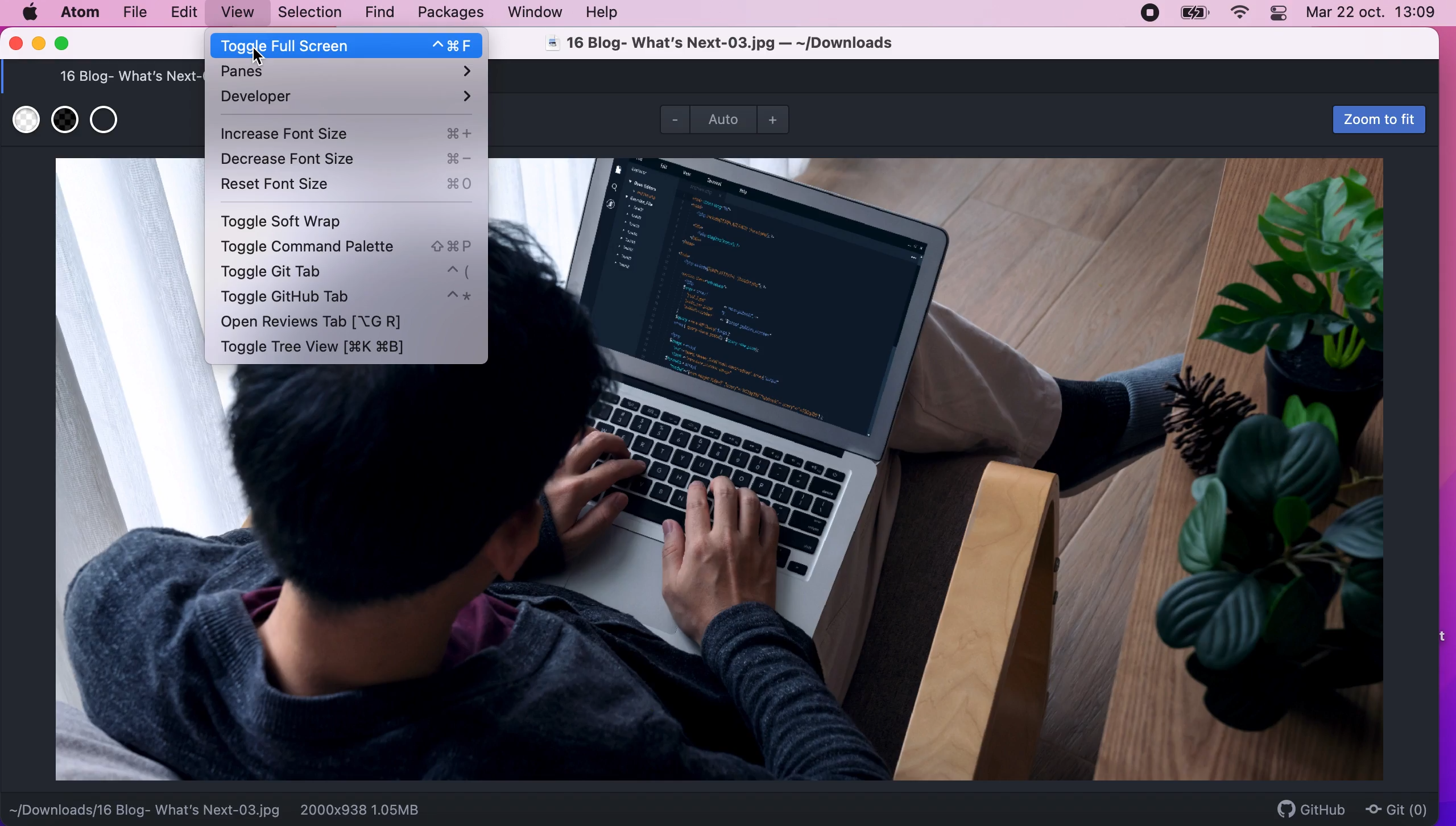 This screenshot has height=826, width=1456. What do you see at coordinates (383, 13) in the screenshot?
I see `find` at bounding box center [383, 13].